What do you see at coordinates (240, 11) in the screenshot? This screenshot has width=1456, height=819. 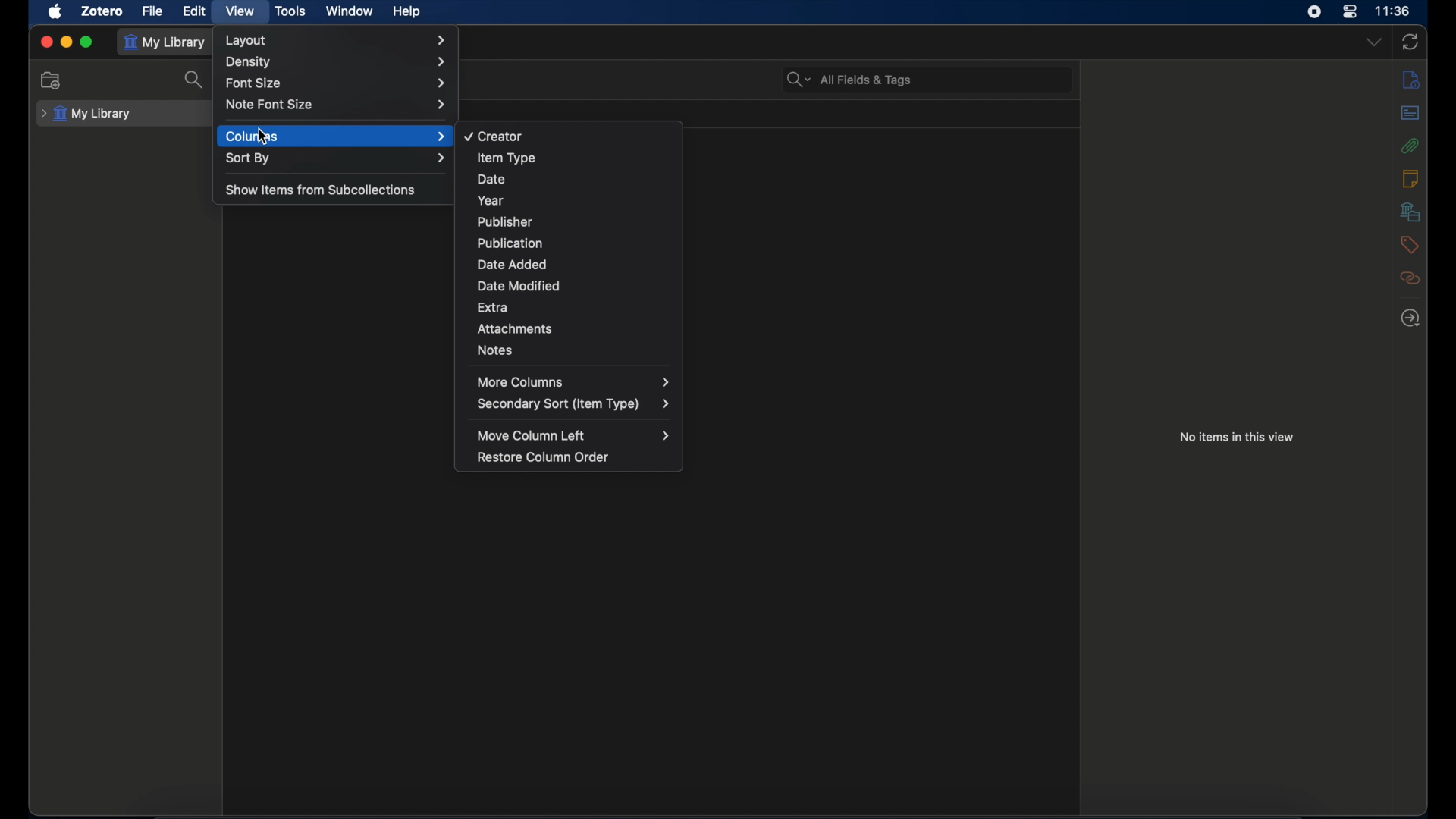 I see `view` at bounding box center [240, 11].